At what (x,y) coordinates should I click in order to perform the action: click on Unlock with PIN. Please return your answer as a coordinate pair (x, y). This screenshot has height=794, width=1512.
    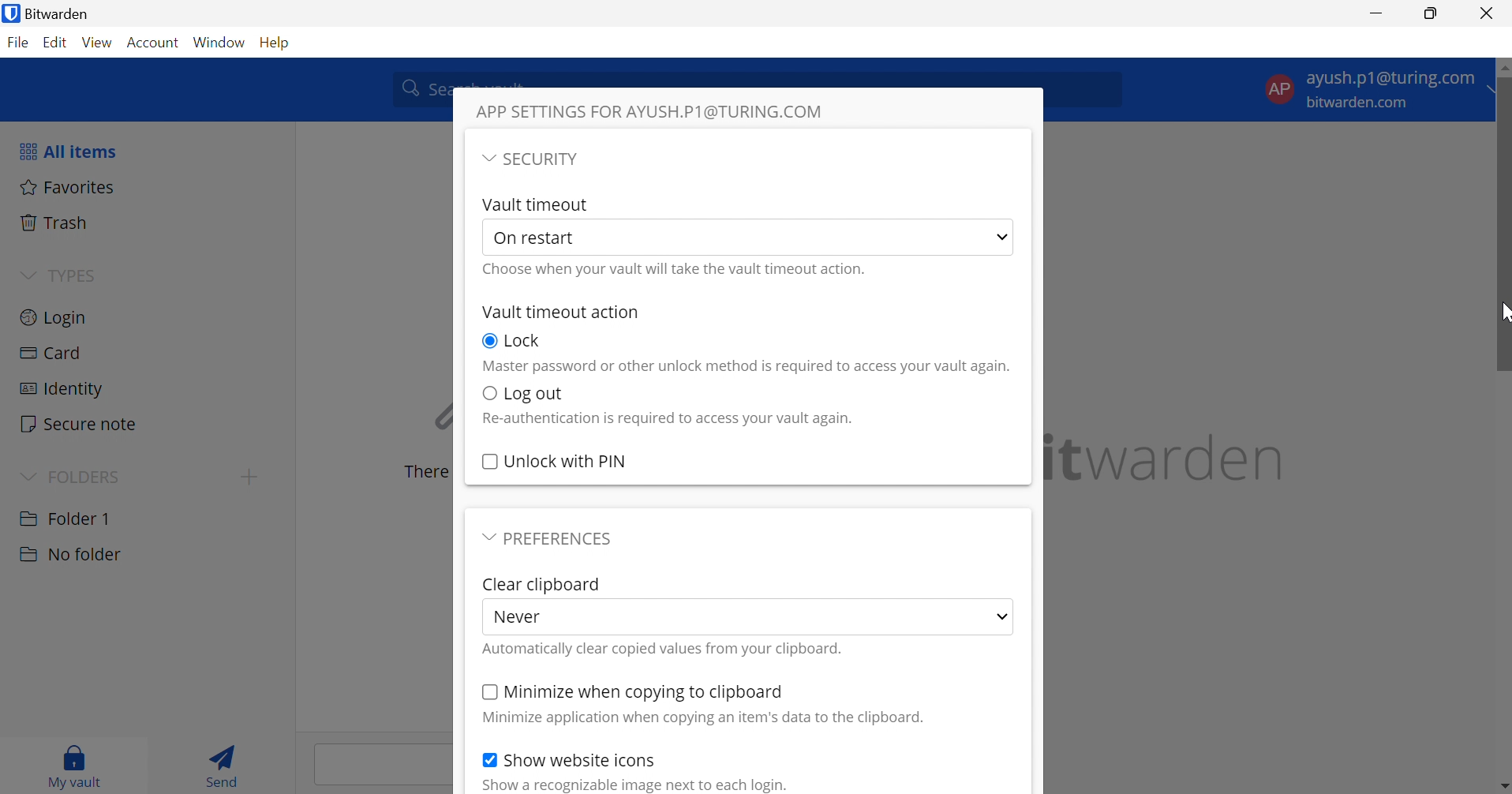
    Looking at the image, I should click on (567, 460).